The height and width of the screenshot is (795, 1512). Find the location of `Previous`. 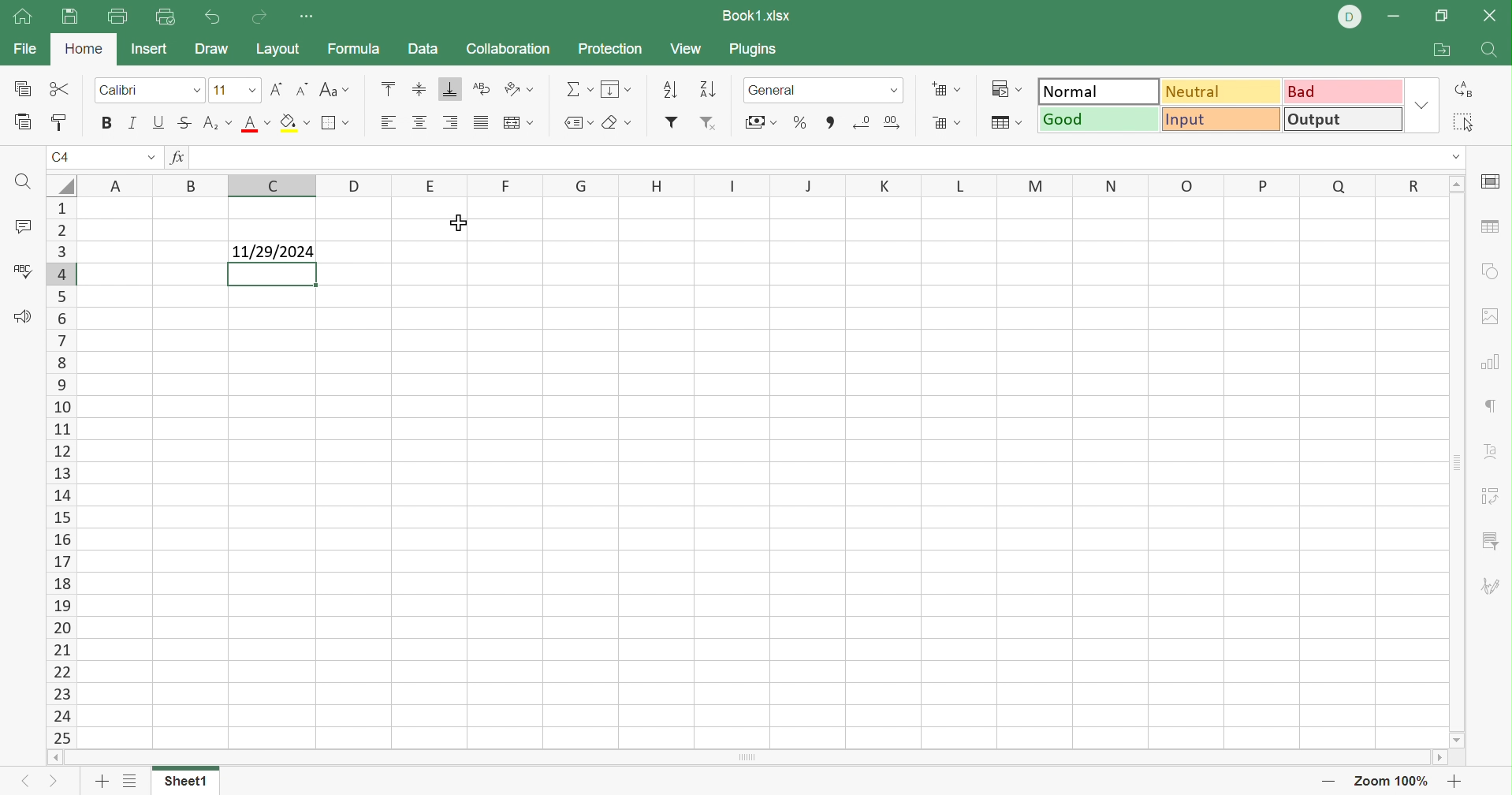

Previous is located at coordinates (18, 783).